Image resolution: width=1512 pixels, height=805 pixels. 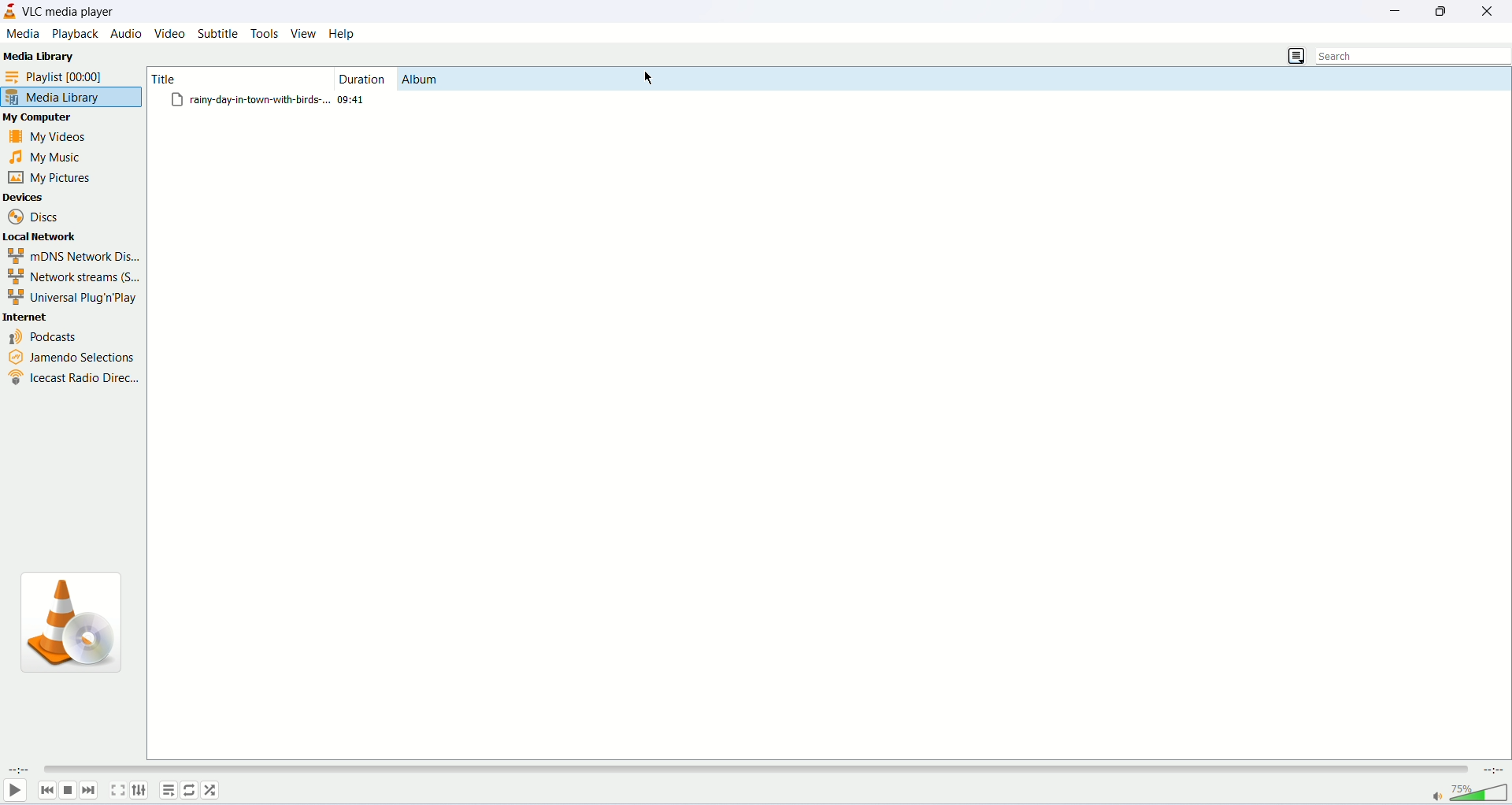 What do you see at coordinates (1400, 9) in the screenshot?
I see `minimize` at bounding box center [1400, 9].